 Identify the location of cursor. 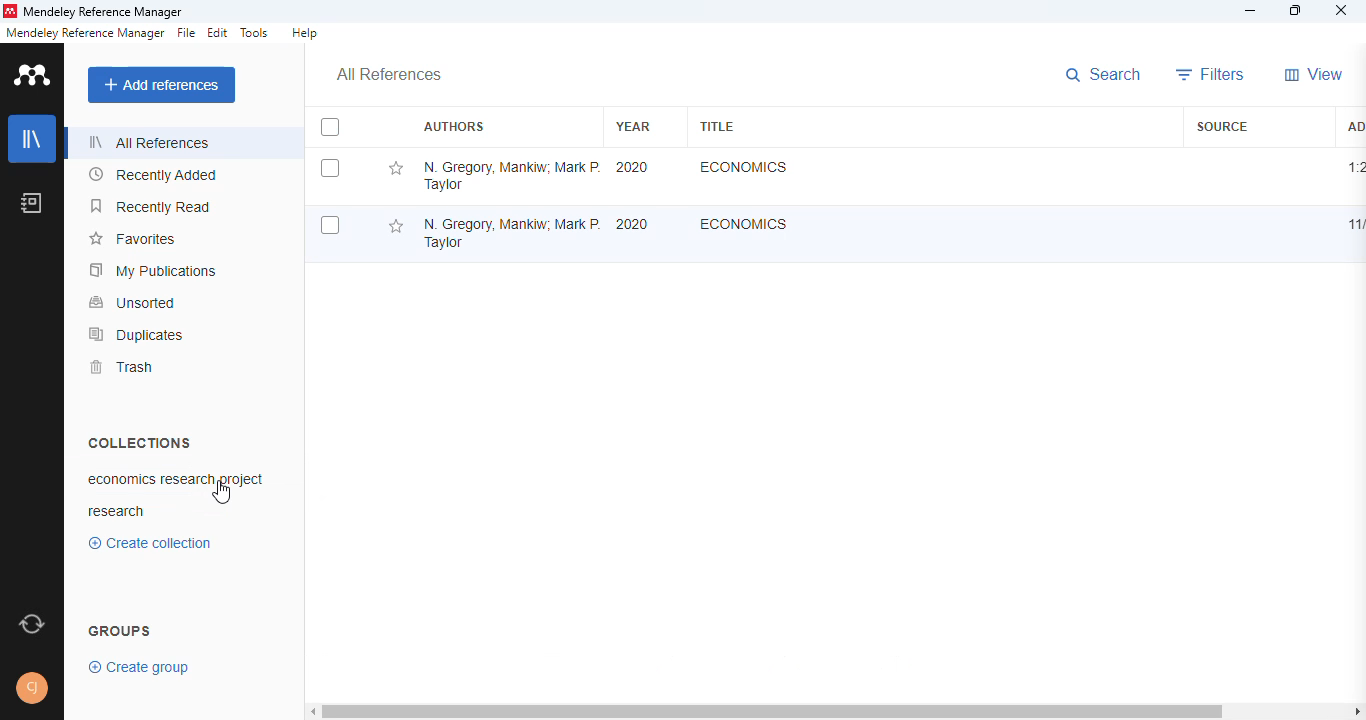
(222, 493).